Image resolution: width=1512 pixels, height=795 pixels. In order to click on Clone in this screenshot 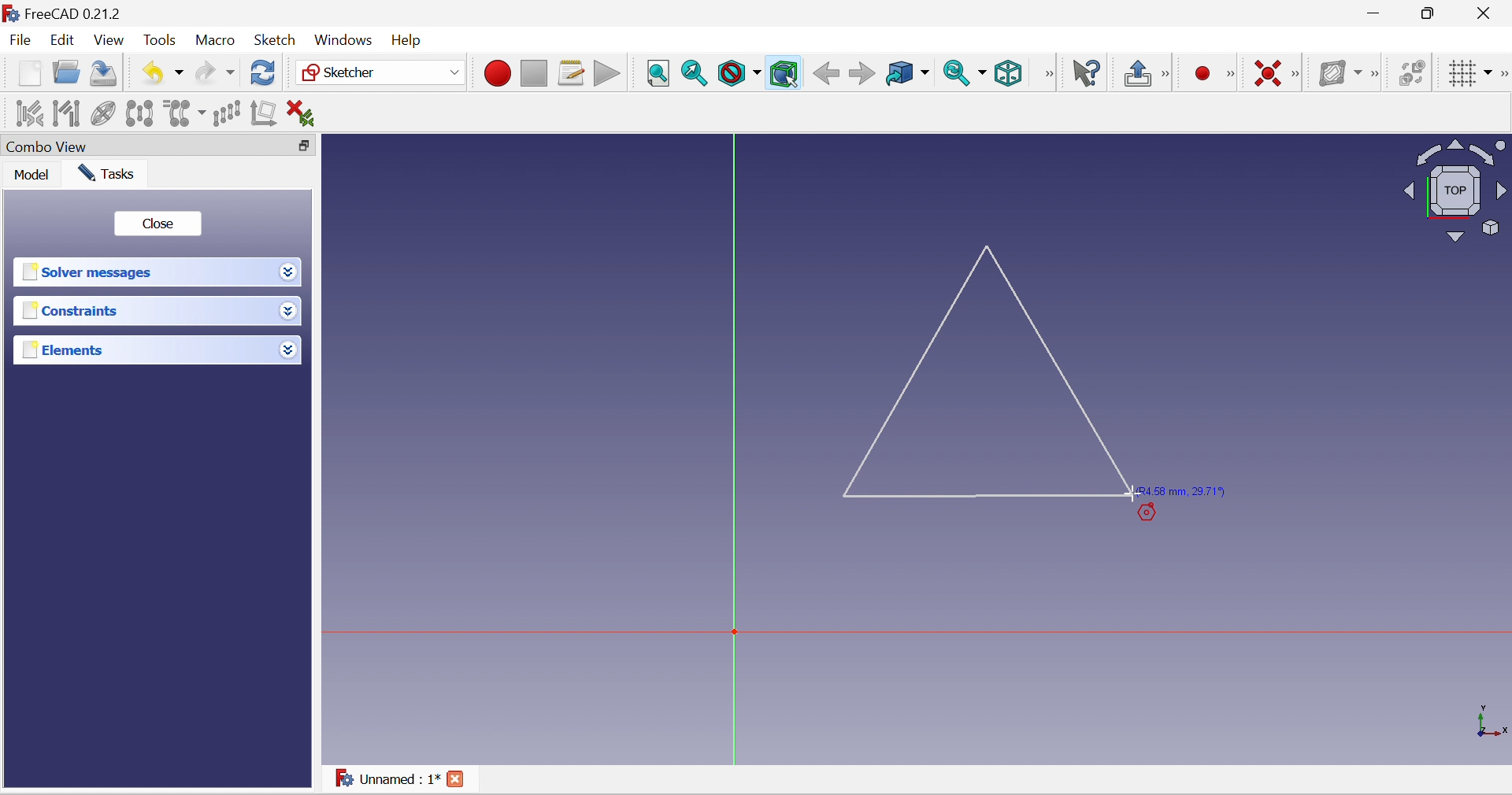, I will do `click(184, 115)`.